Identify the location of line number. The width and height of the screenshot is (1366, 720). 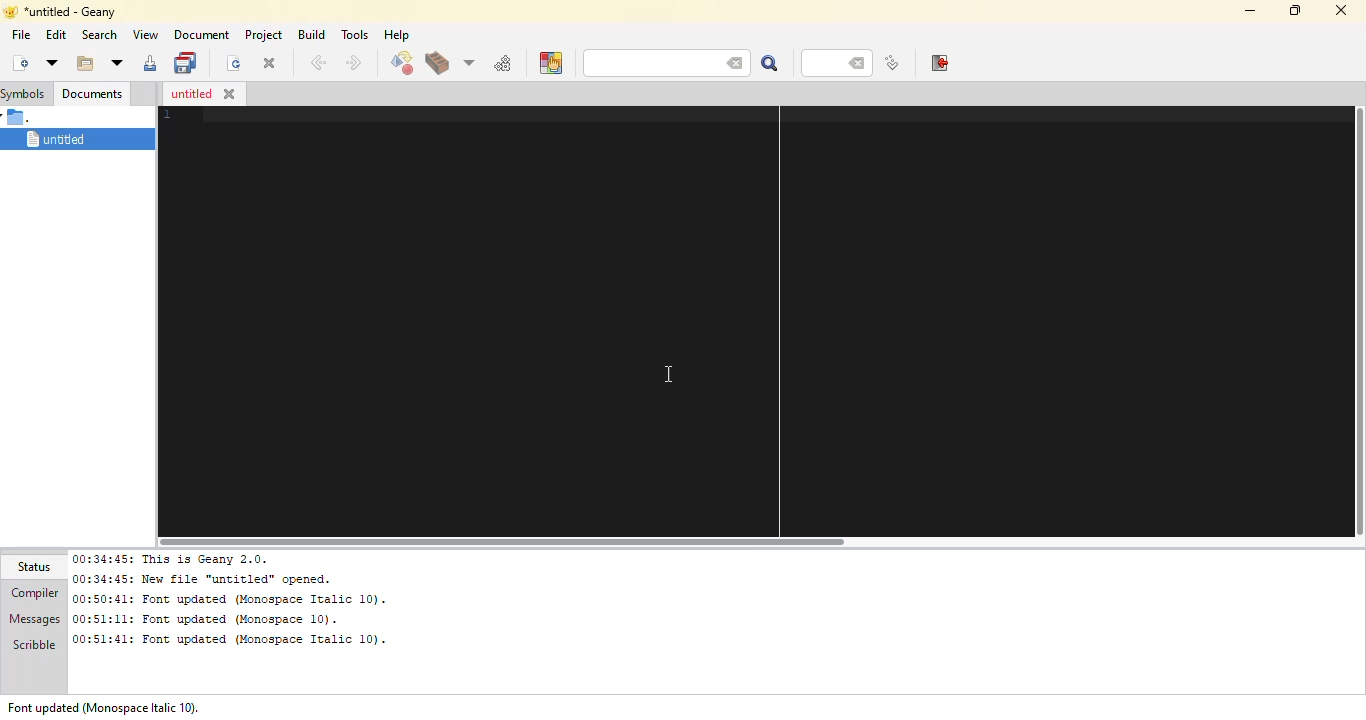
(162, 116).